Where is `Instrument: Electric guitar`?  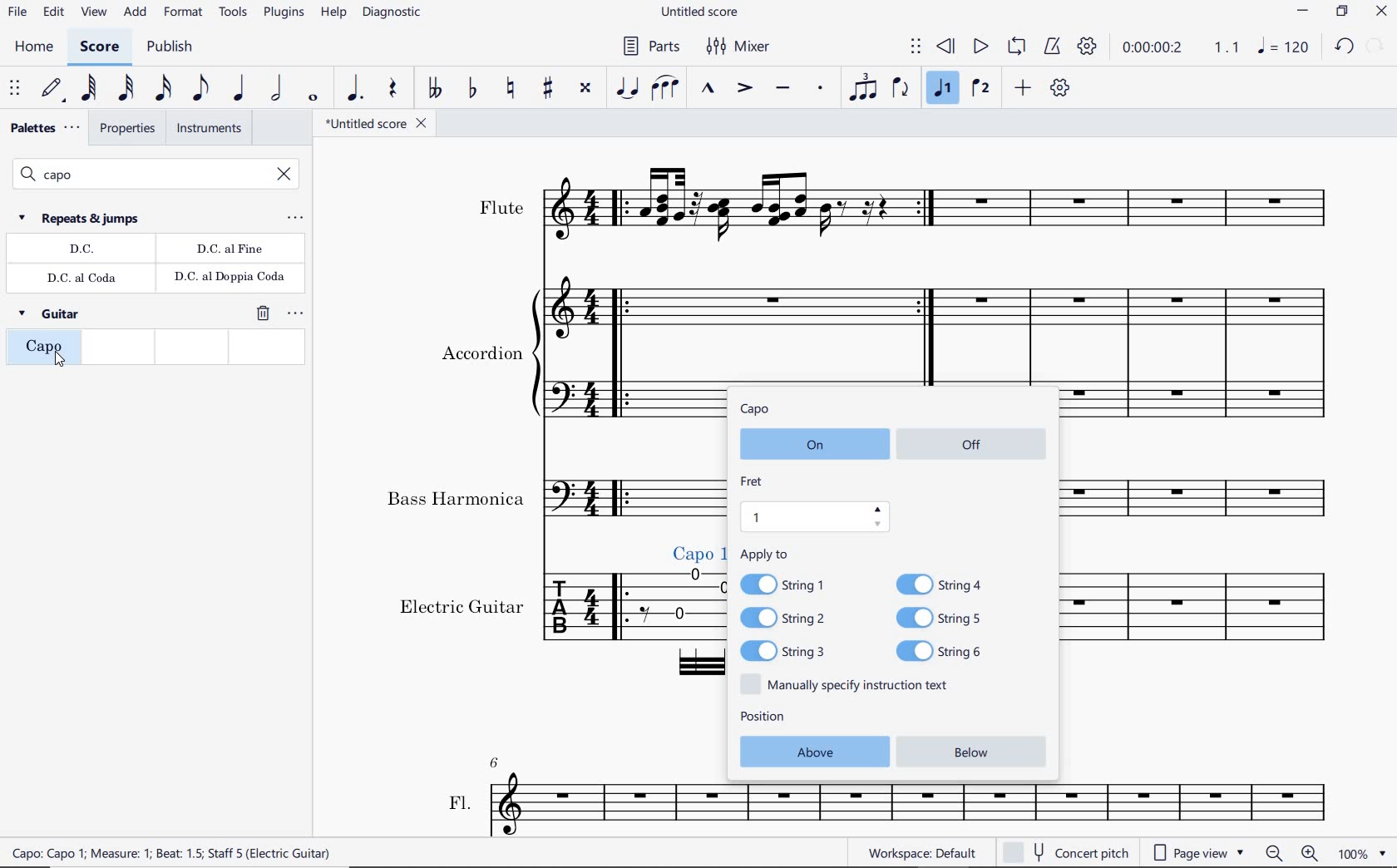 Instrument: Electric guitar is located at coordinates (545, 618).